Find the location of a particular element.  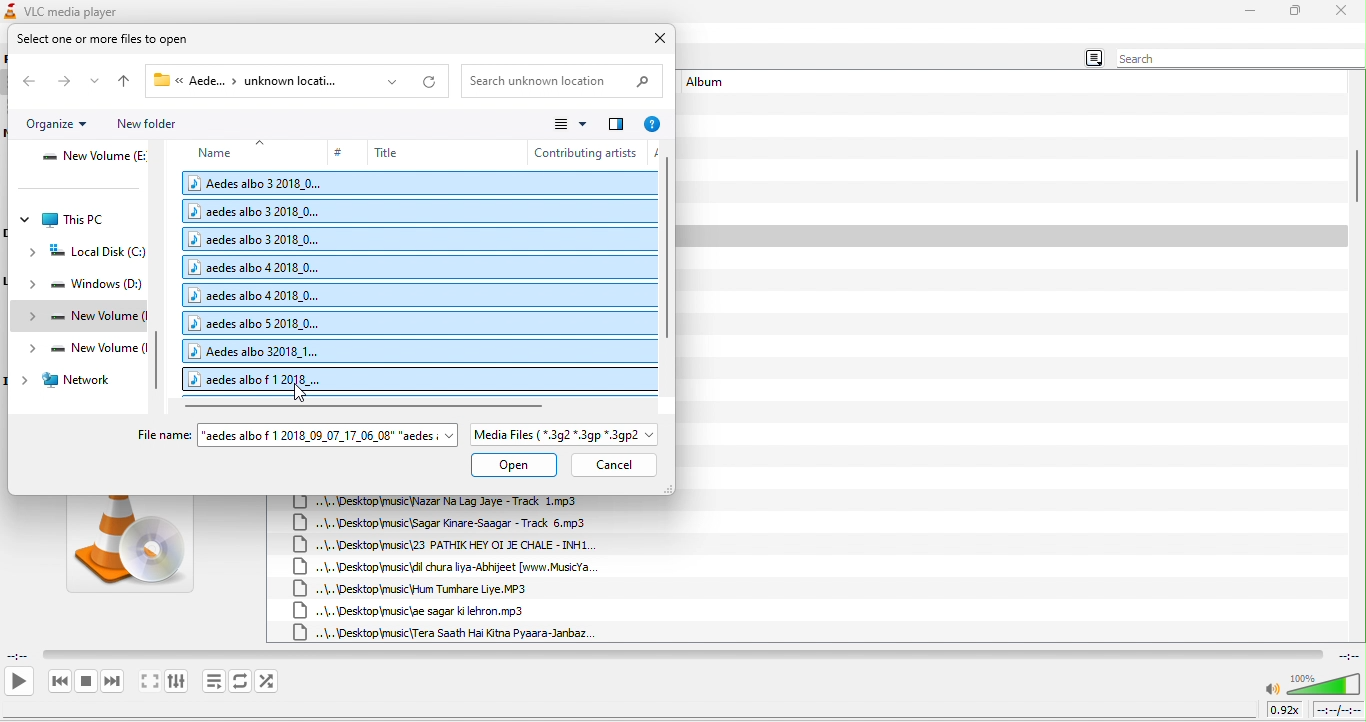

play is located at coordinates (18, 681).